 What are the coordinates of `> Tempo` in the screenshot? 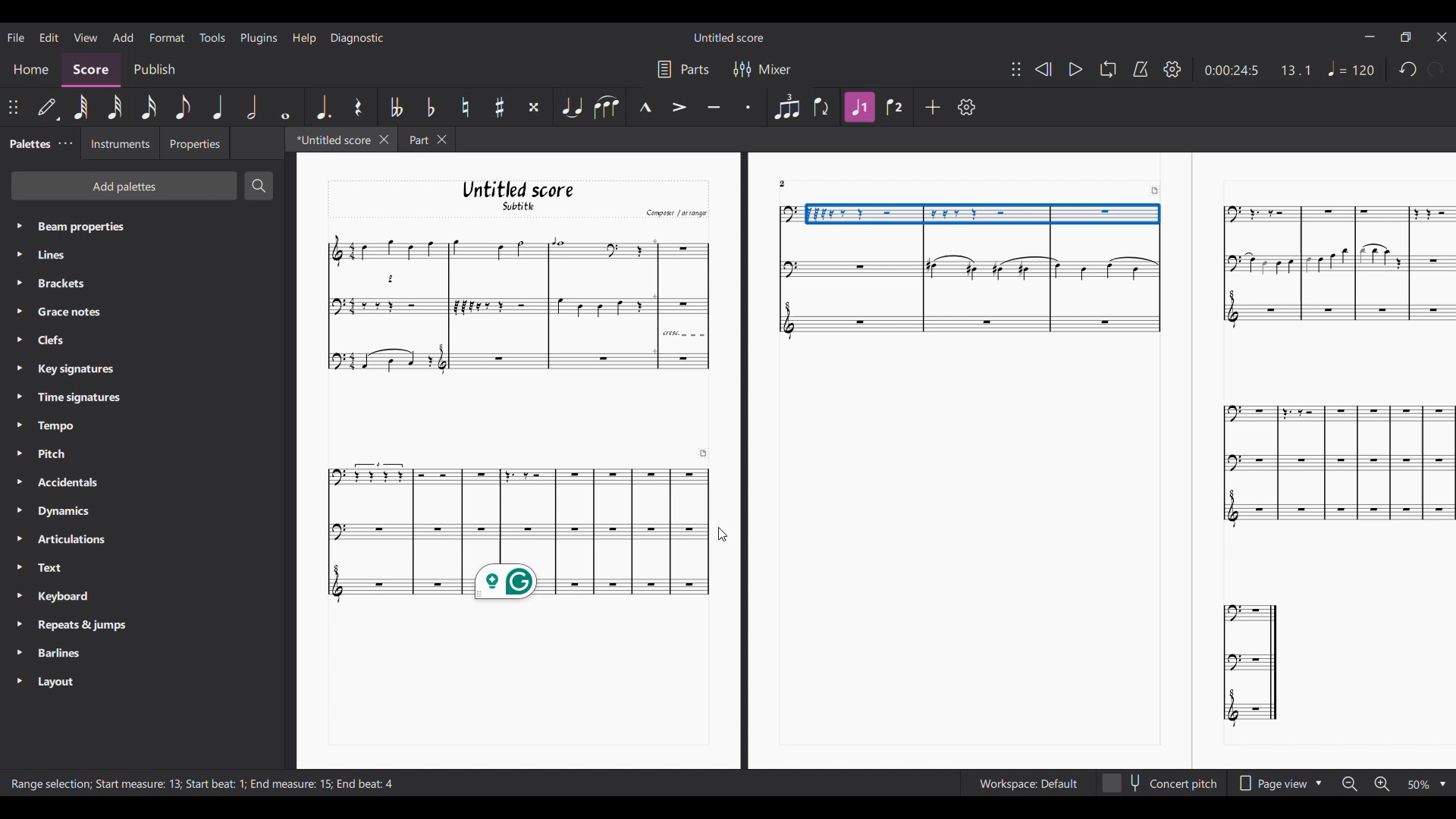 It's located at (50, 426).